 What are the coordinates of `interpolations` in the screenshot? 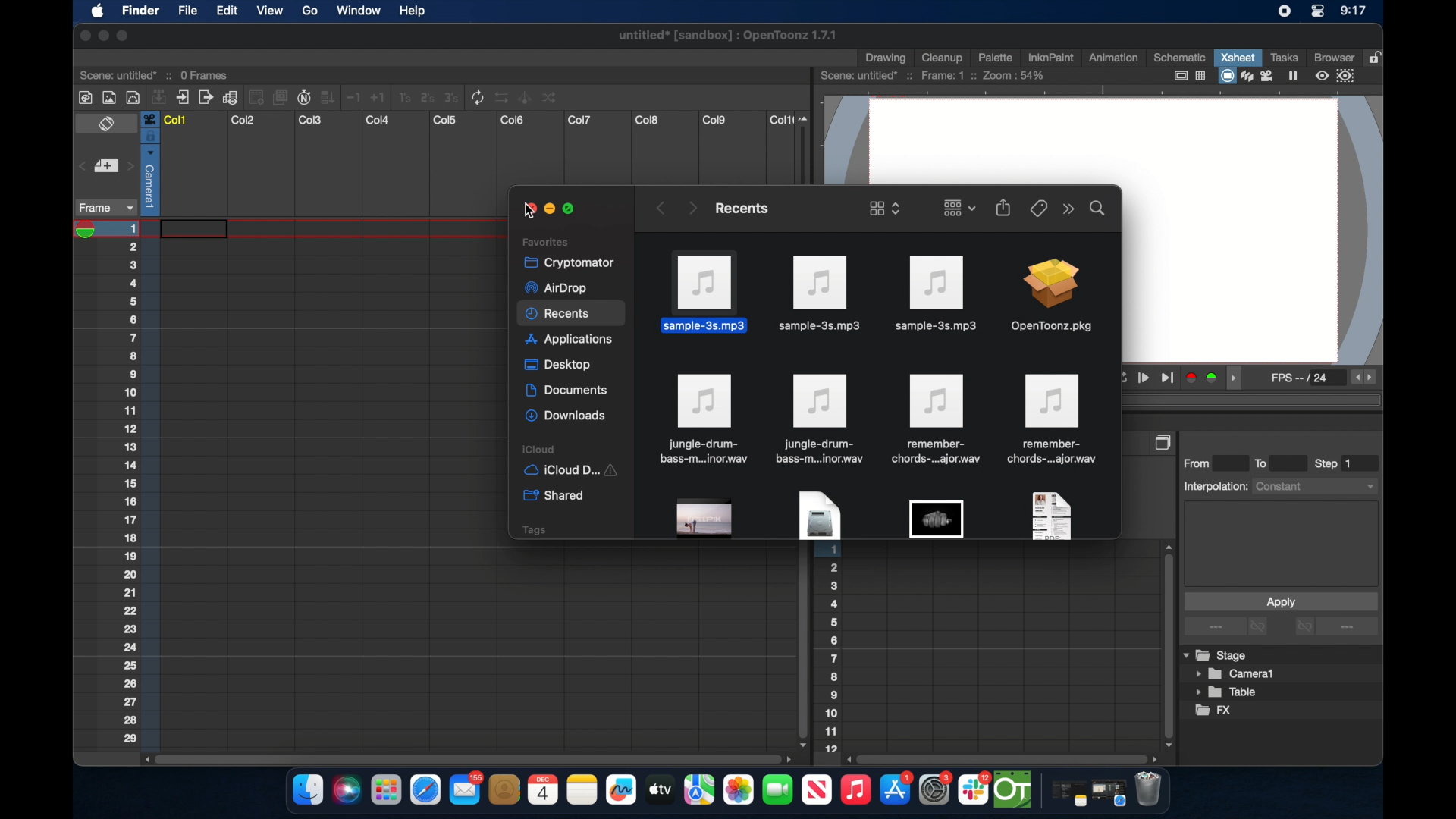 It's located at (1279, 485).